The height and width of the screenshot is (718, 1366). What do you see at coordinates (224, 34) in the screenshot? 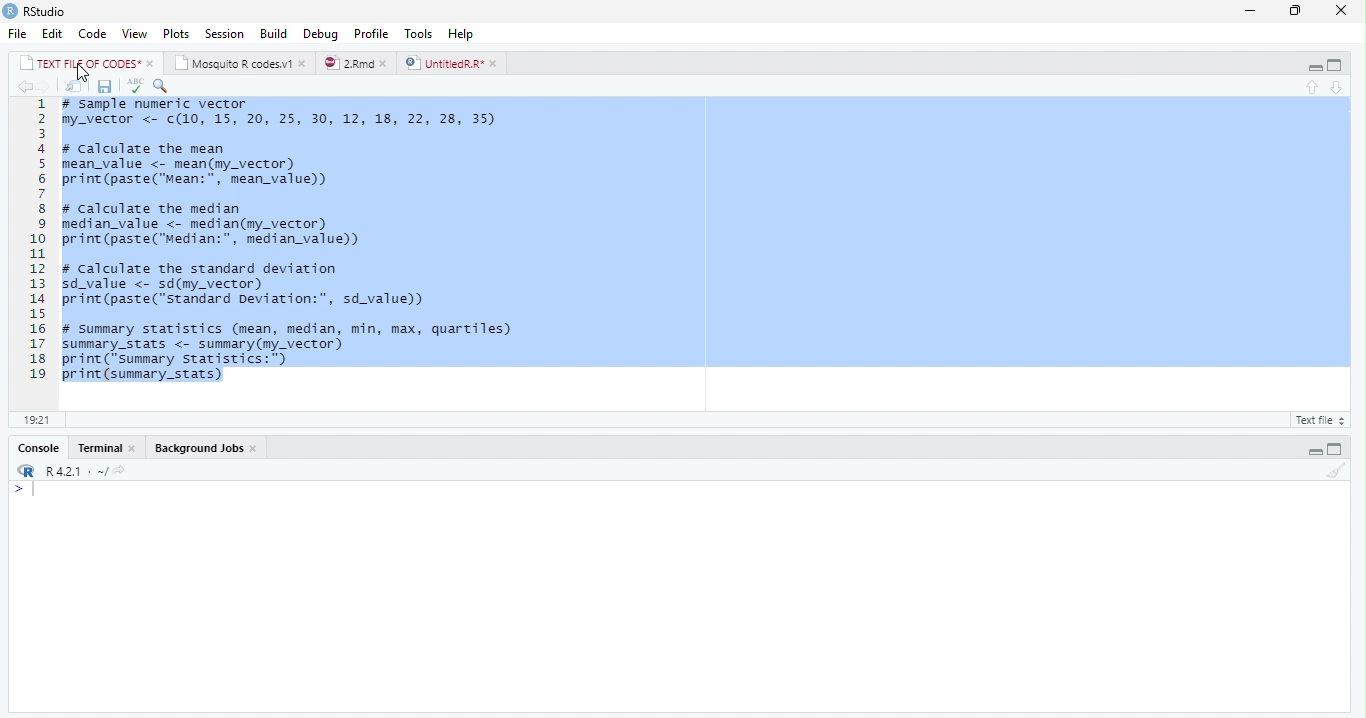
I see `session` at bounding box center [224, 34].